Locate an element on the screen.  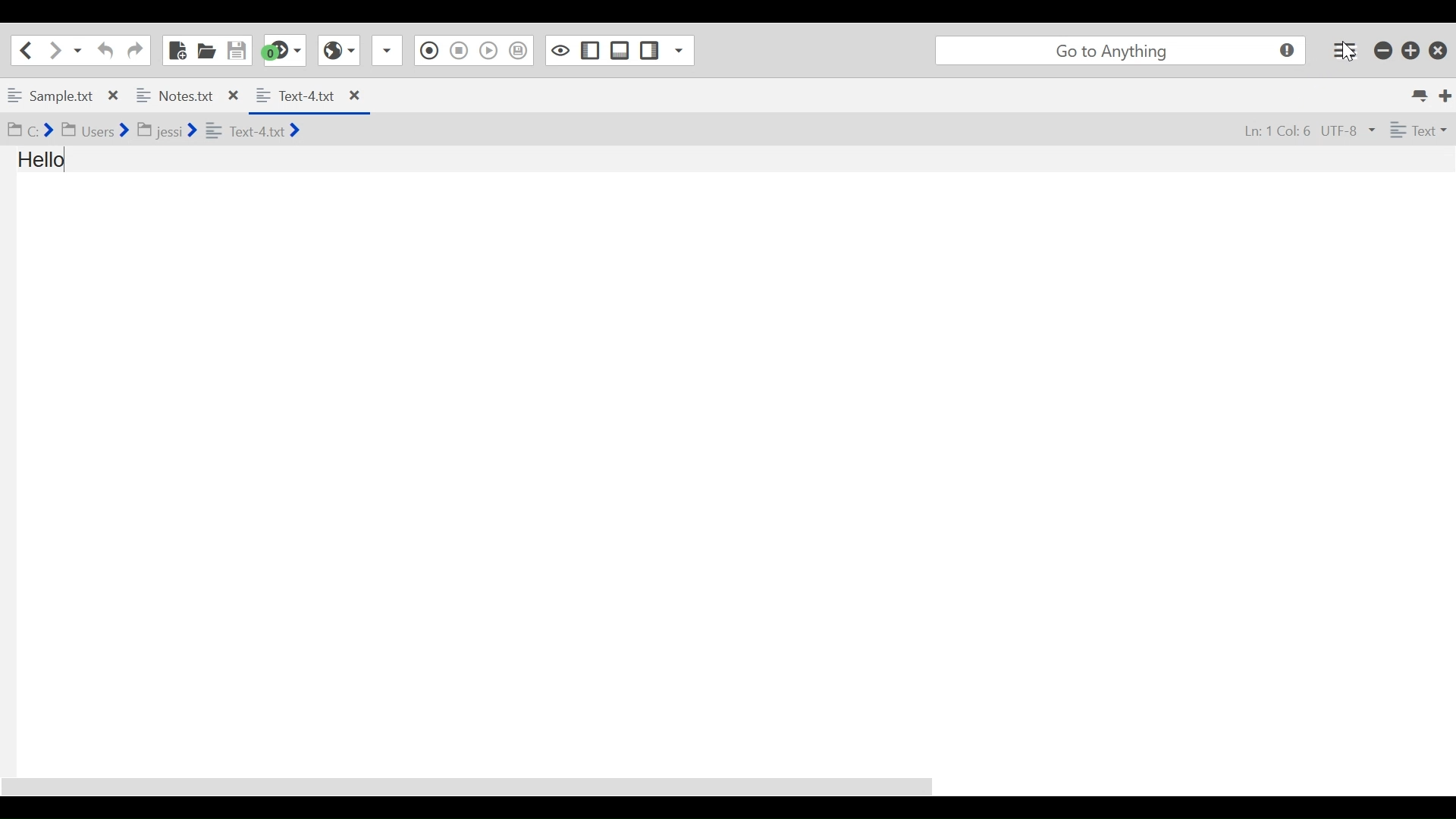
Close is located at coordinates (1439, 51).